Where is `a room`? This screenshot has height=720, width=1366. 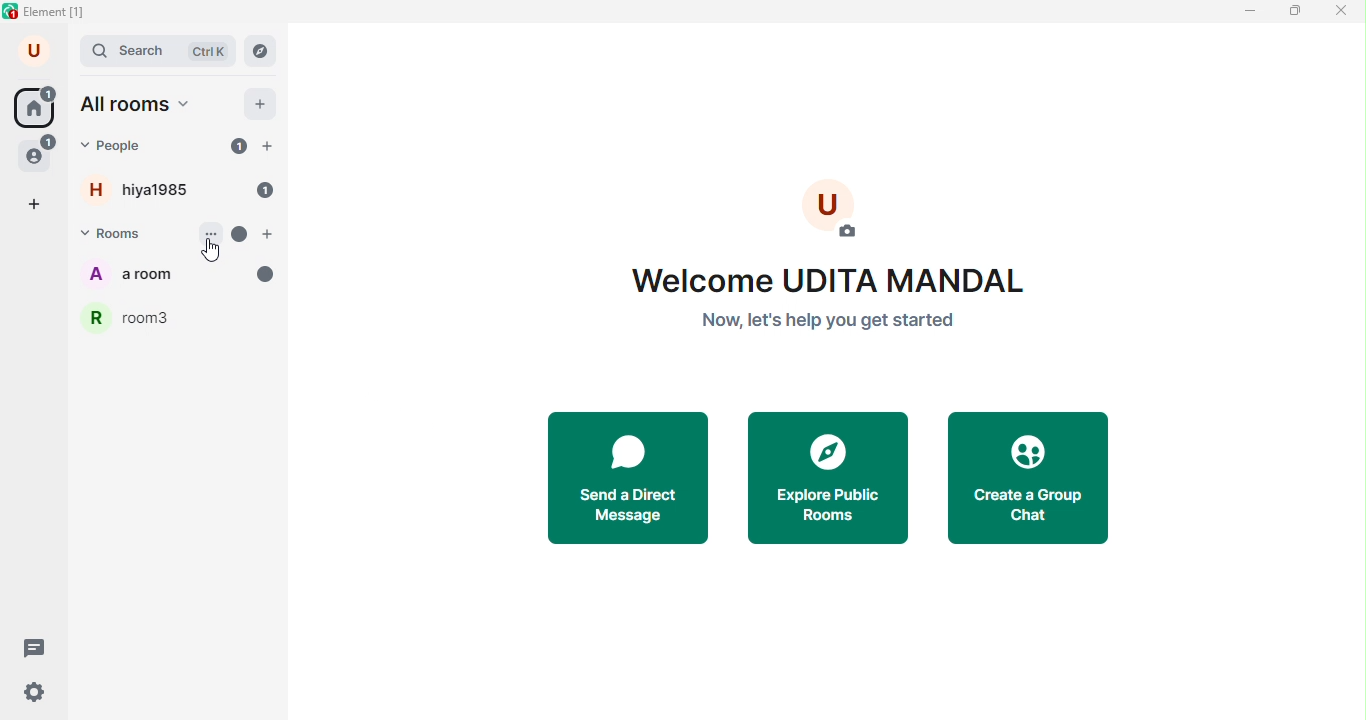
a room is located at coordinates (130, 276).